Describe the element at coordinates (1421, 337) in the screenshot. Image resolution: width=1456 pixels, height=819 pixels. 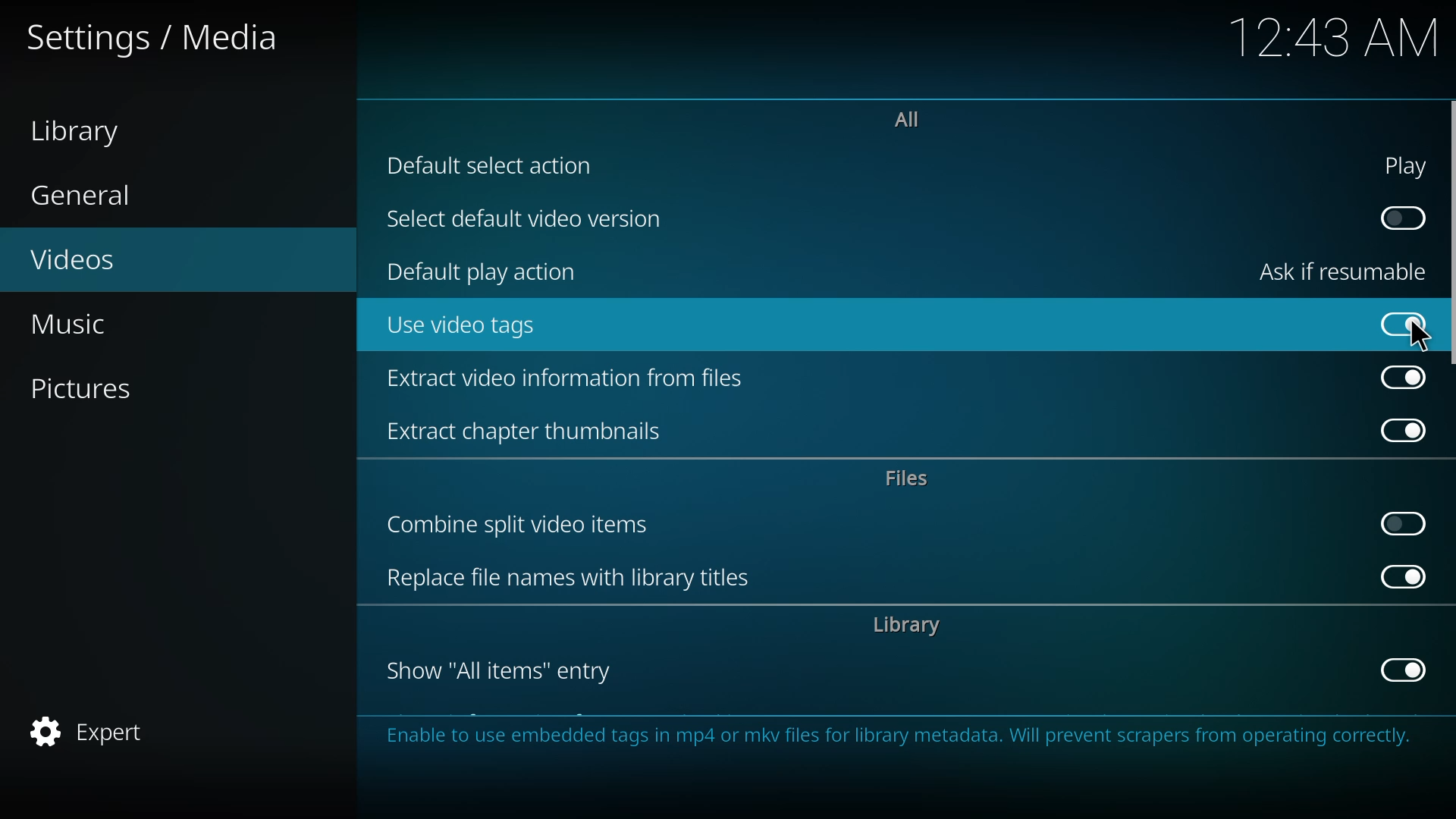
I see `cursor` at that location.